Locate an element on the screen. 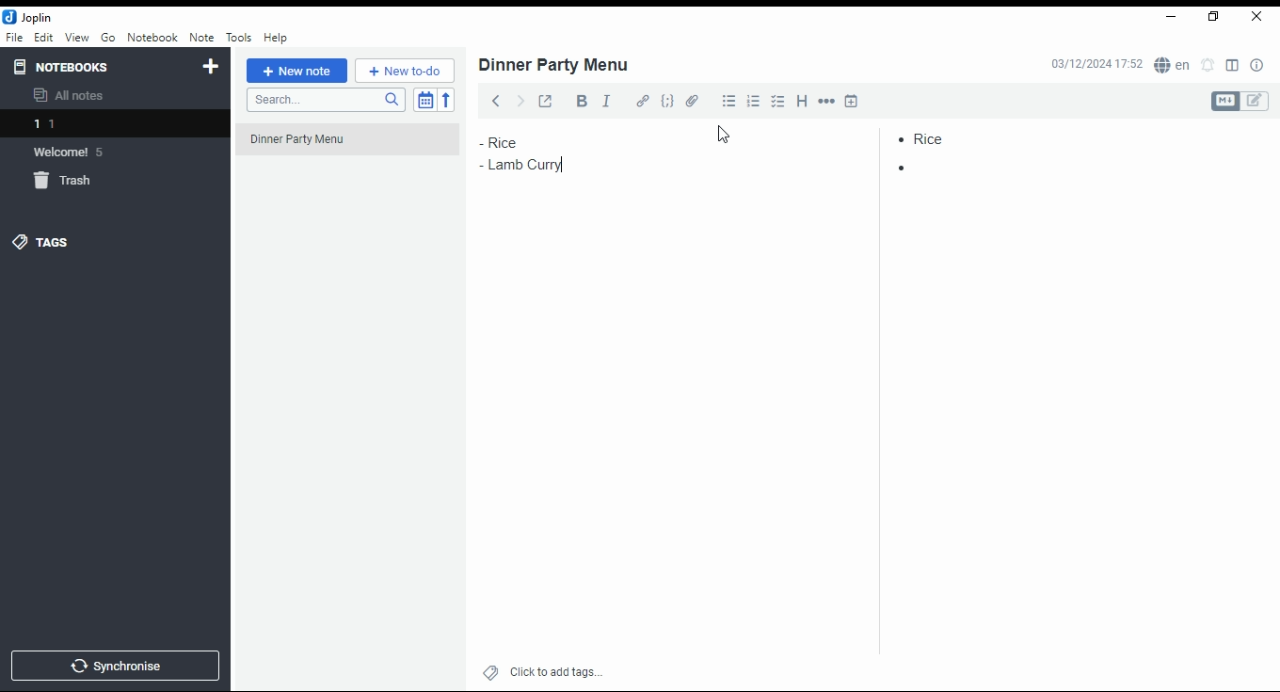 The height and width of the screenshot is (692, 1280). dinner party menu is located at coordinates (353, 146).